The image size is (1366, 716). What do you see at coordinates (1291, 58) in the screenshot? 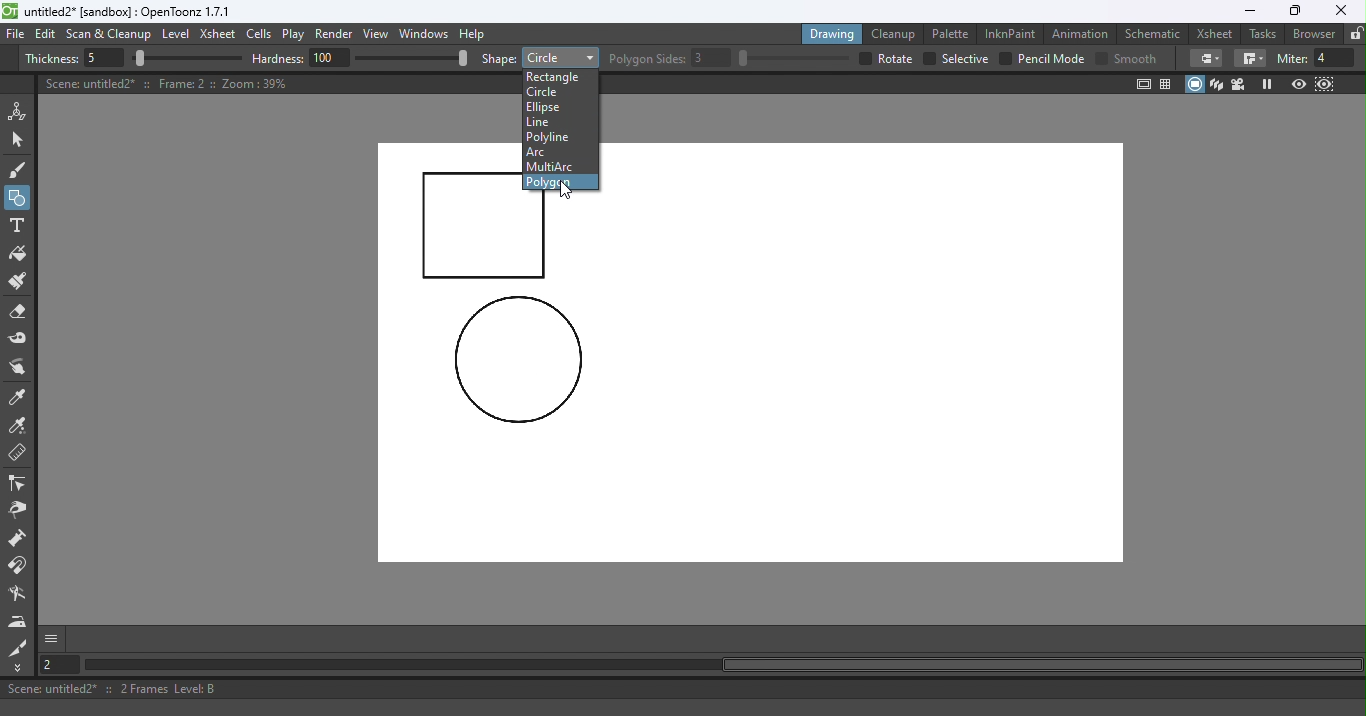
I see `miter` at bounding box center [1291, 58].